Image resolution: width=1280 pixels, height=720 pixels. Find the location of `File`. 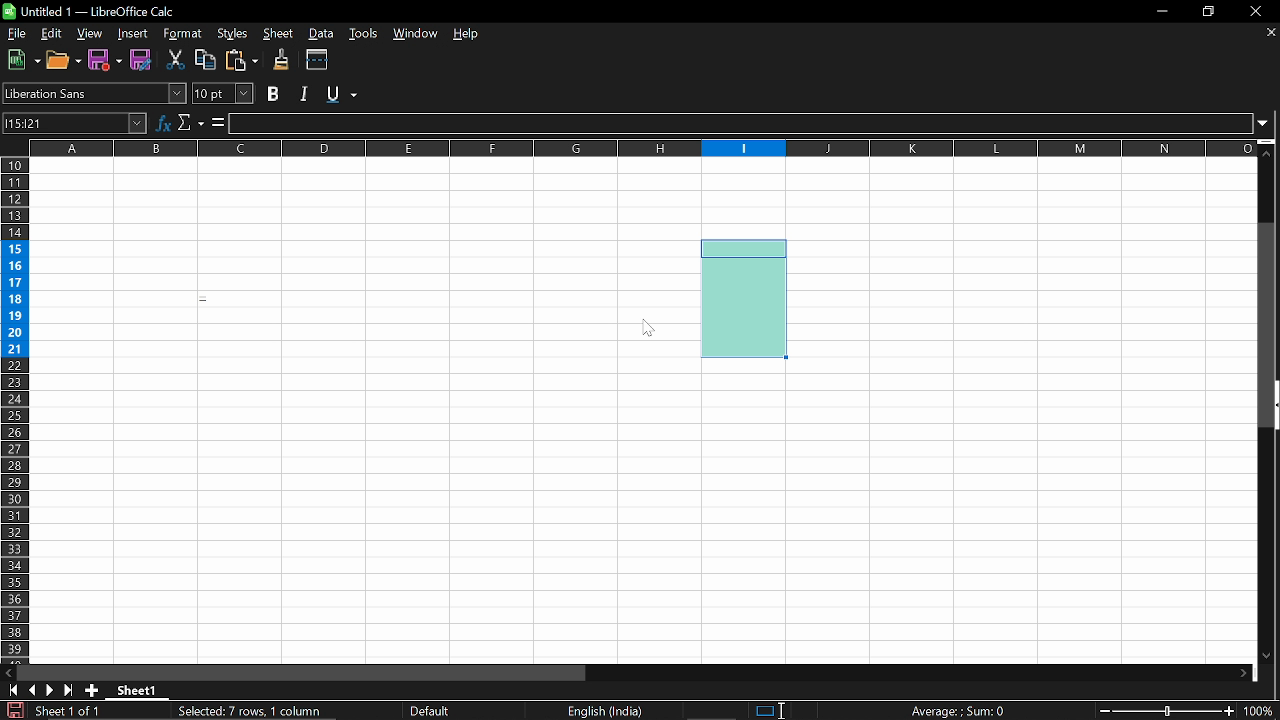

File is located at coordinates (15, 34).